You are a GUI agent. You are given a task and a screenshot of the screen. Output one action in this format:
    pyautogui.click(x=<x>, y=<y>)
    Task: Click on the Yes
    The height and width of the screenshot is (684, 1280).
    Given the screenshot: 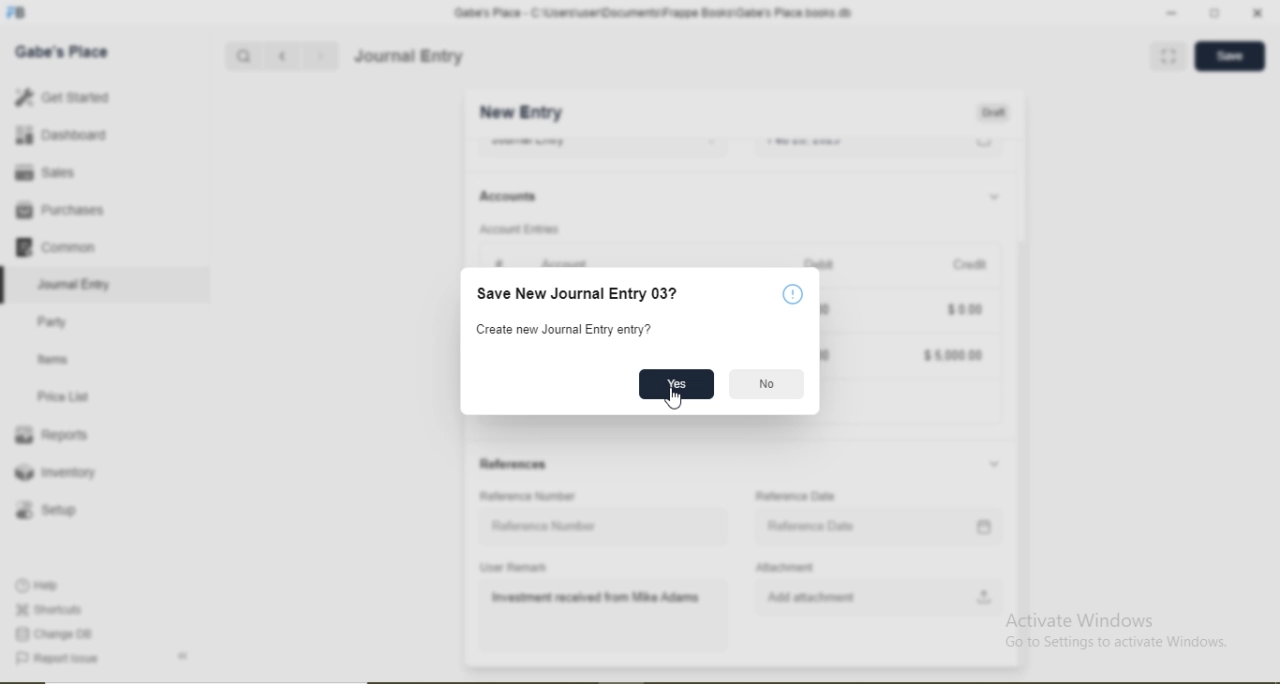 What is the action you would take?
    pyautogui.click(x=675, y=383)
    